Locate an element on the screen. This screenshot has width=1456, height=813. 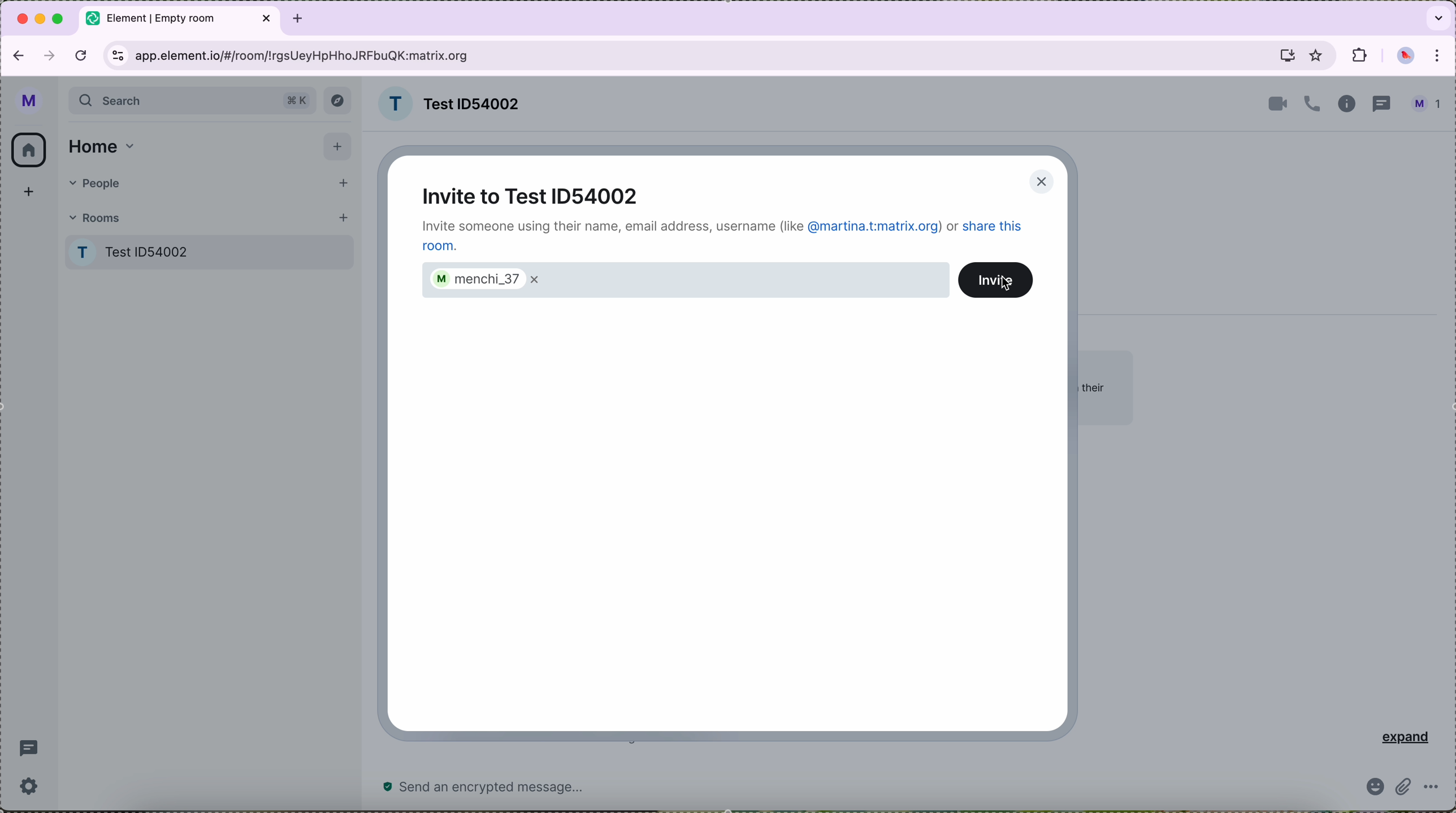
expand is located at coordinates (1401, 736).